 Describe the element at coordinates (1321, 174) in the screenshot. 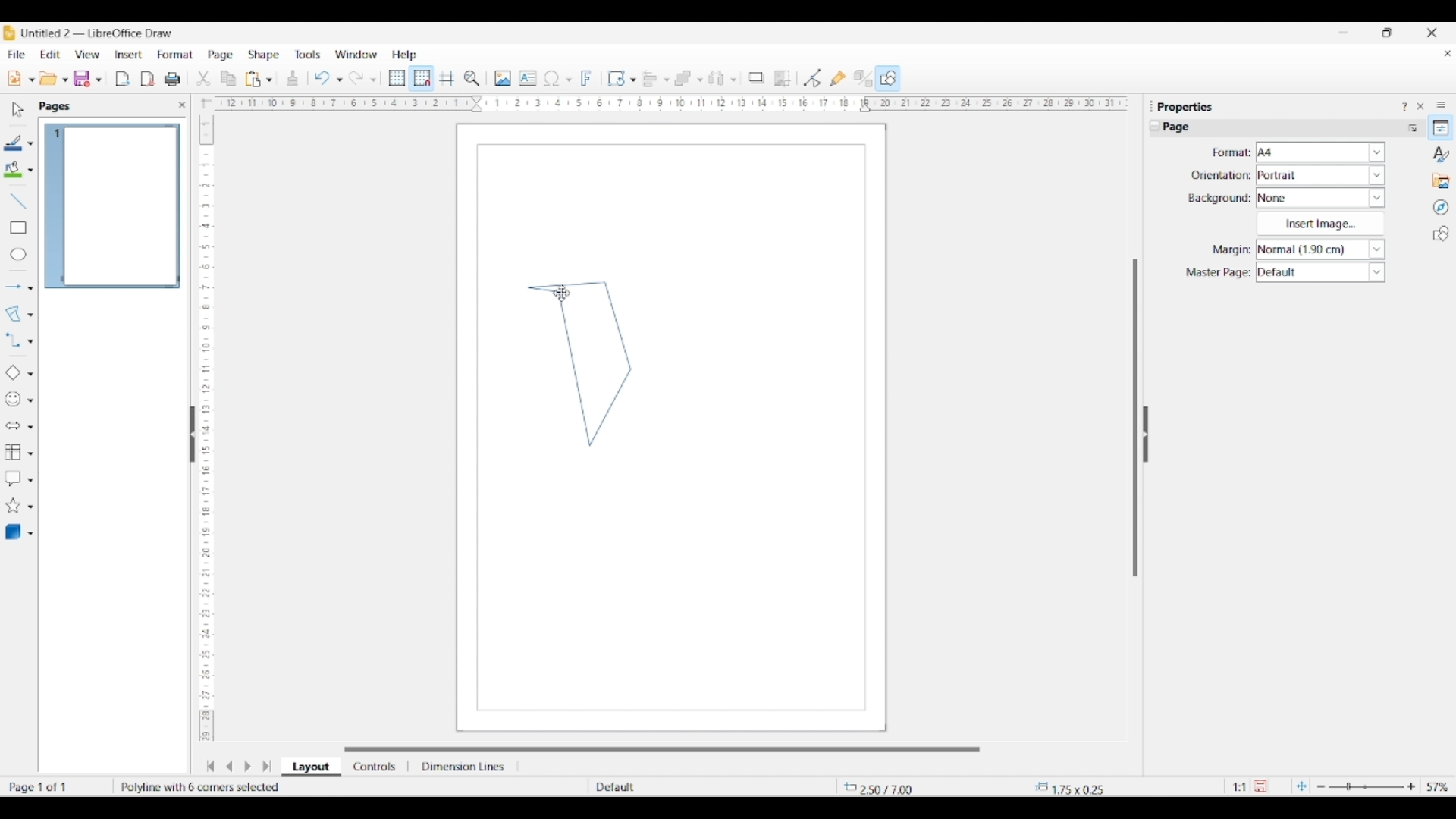

I see `Orientation options` at that location.